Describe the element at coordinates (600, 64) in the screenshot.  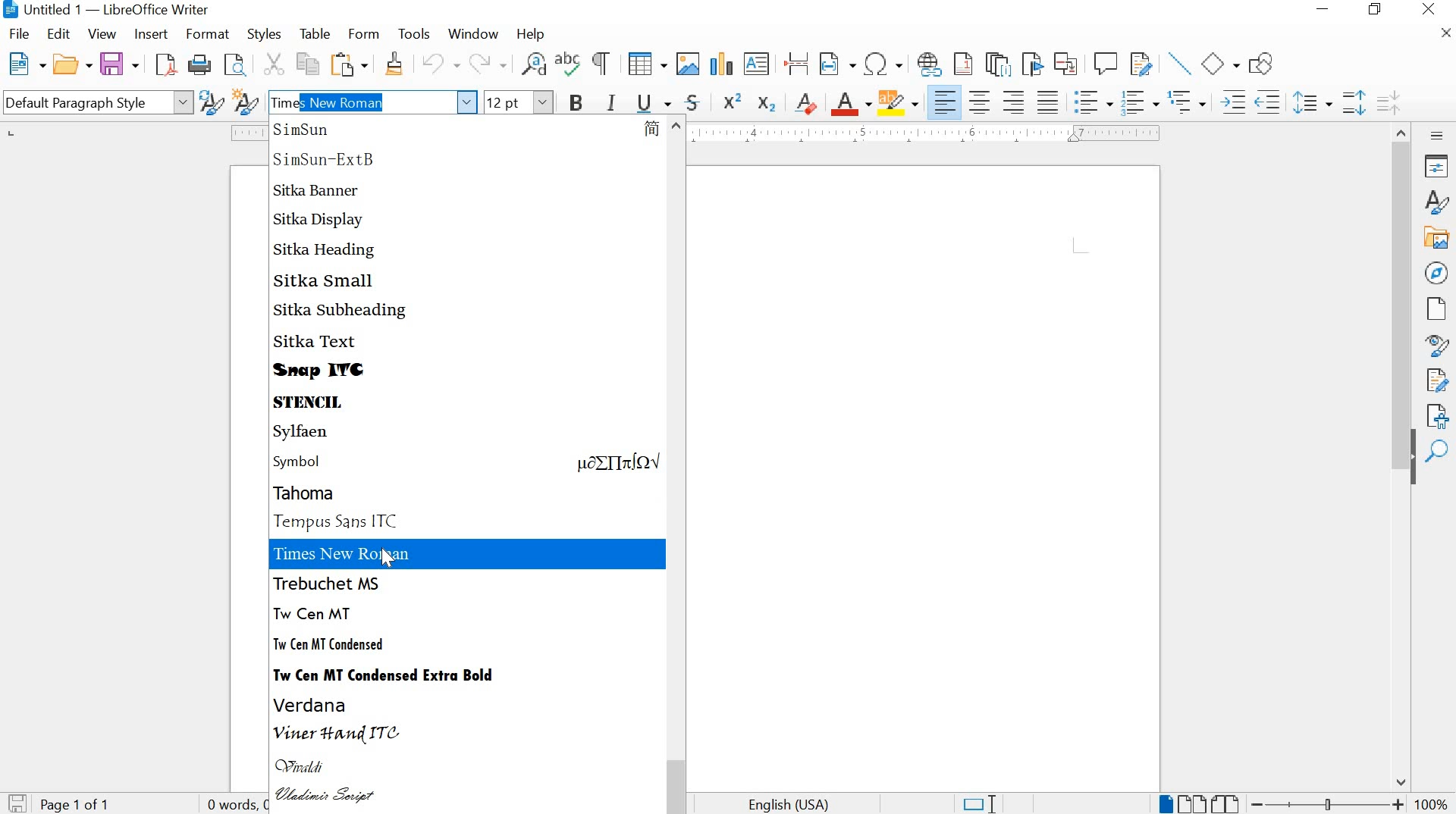
I see `TOGGLE FORMATTING MARKS` at that location.